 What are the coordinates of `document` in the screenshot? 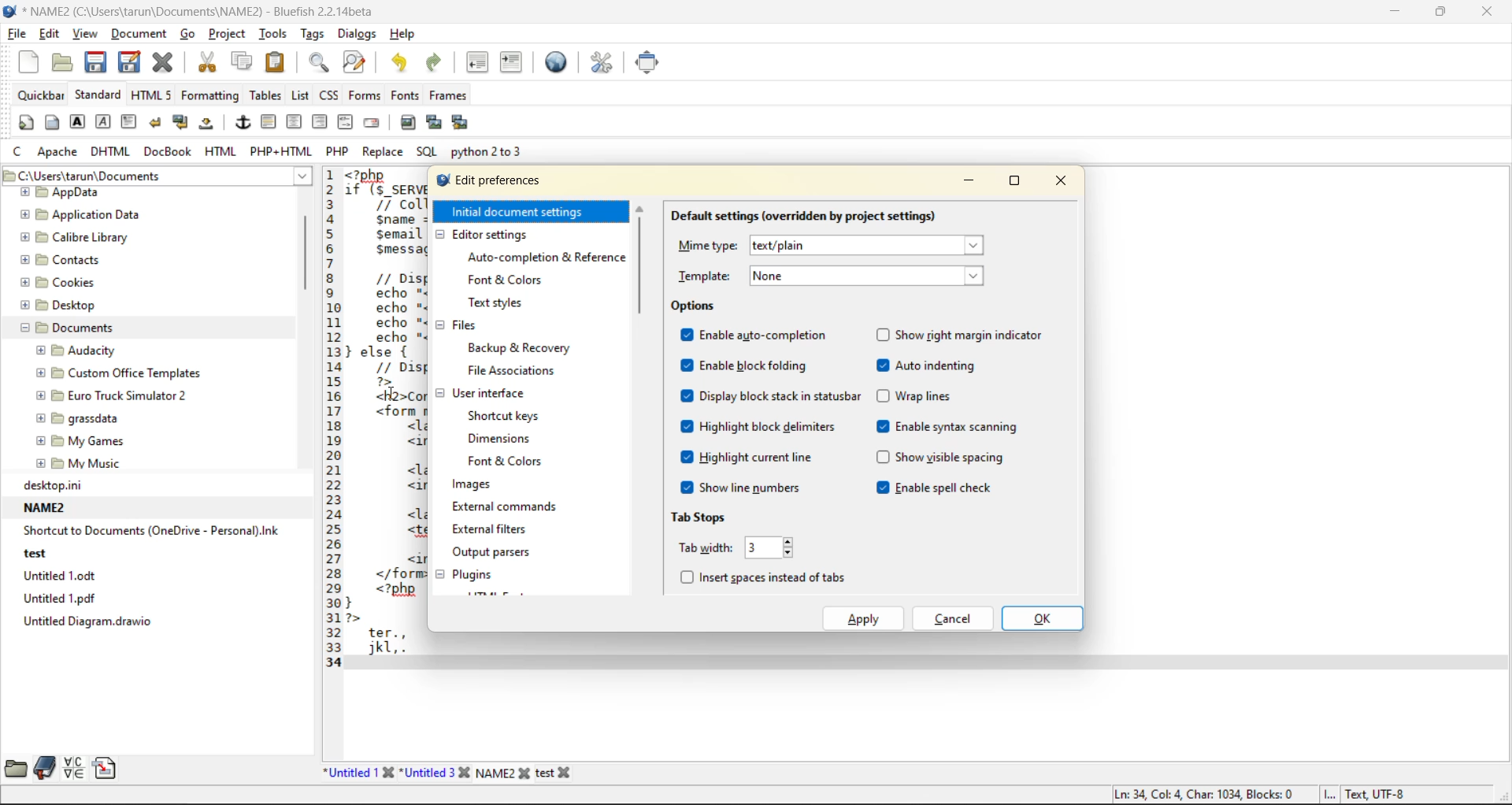 It's located at (138, 35).